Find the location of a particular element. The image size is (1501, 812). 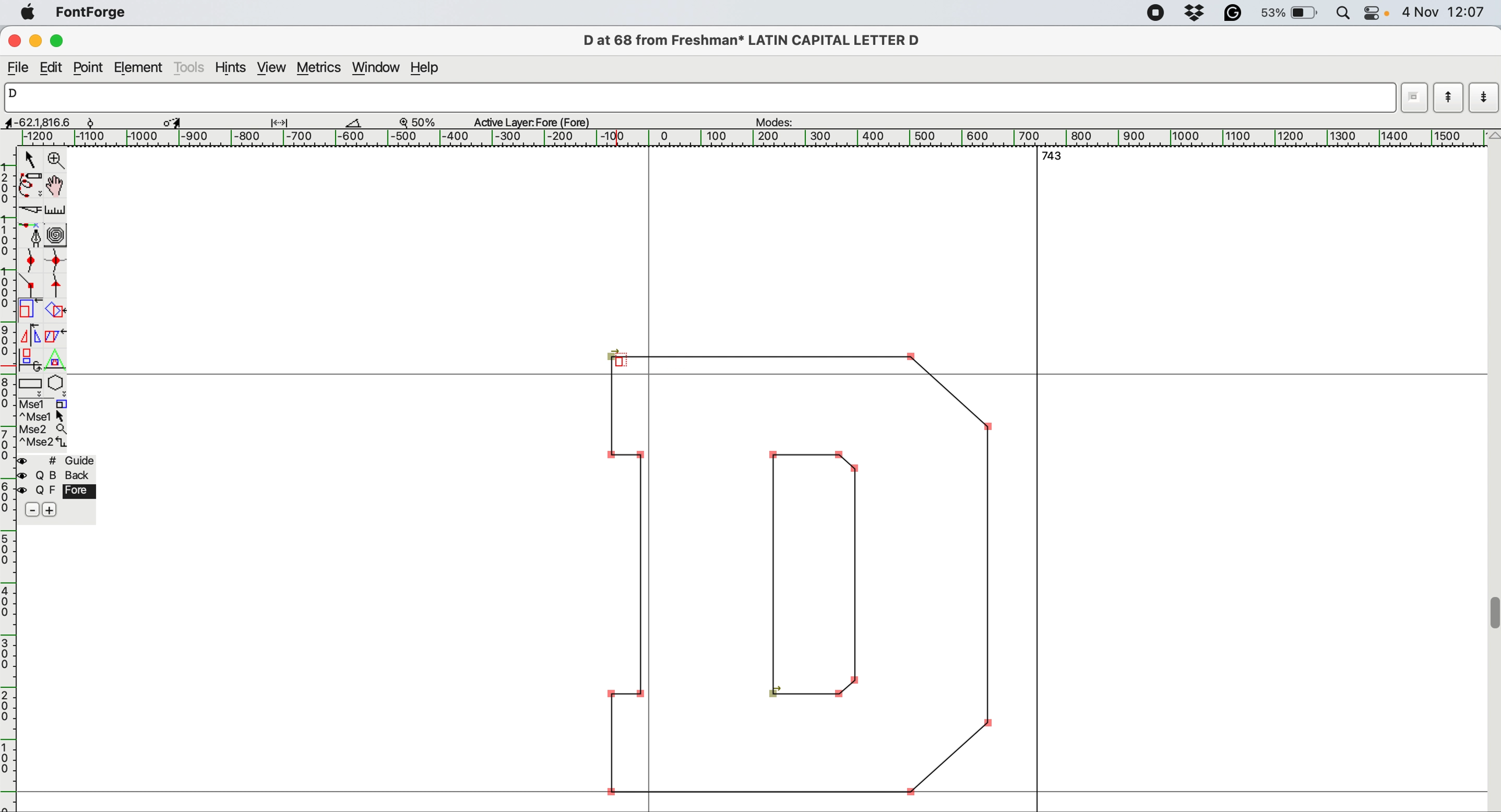

remove is located at coordinates (29, 510).